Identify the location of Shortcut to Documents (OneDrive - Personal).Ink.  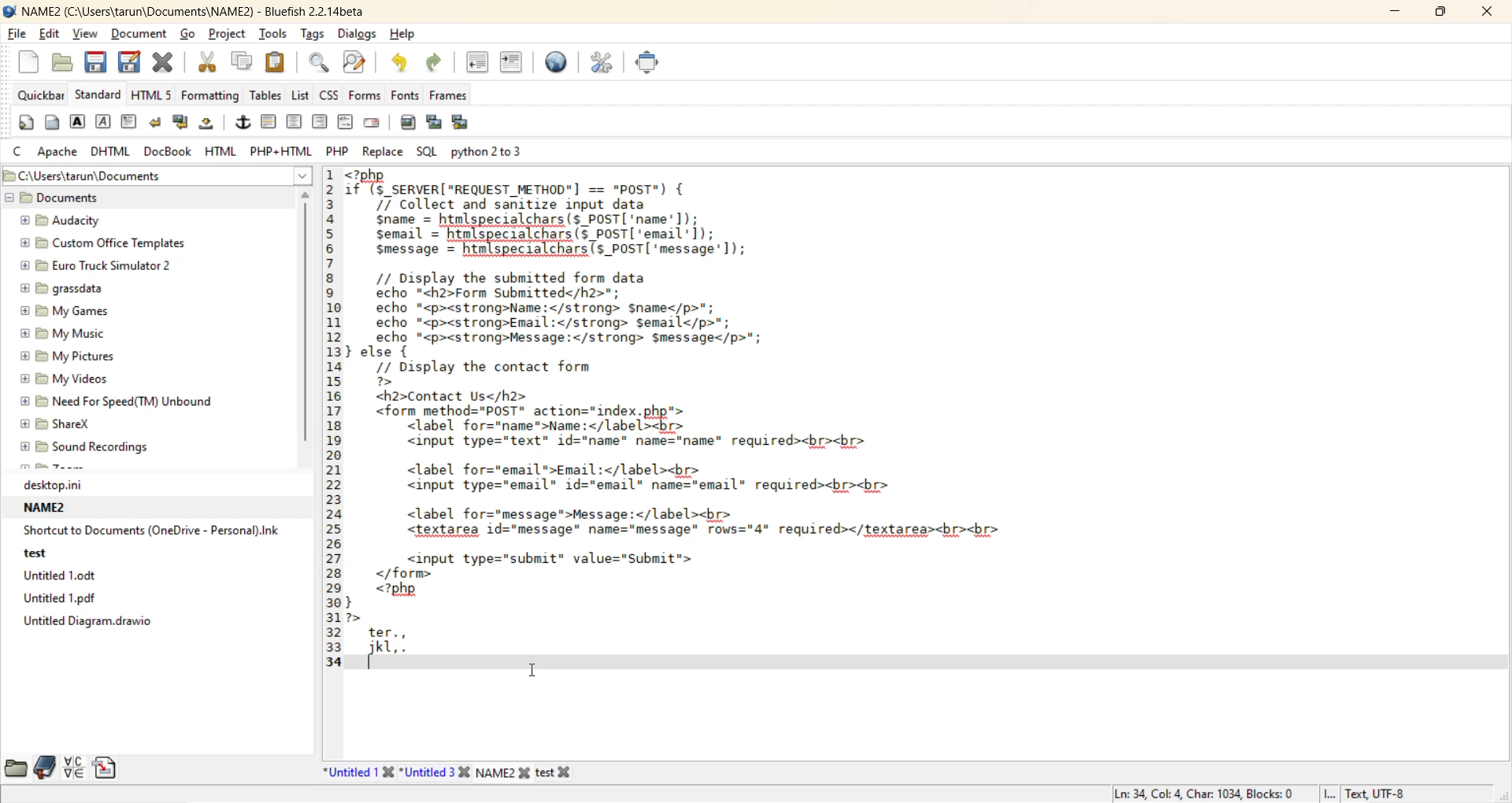
(154, 530).